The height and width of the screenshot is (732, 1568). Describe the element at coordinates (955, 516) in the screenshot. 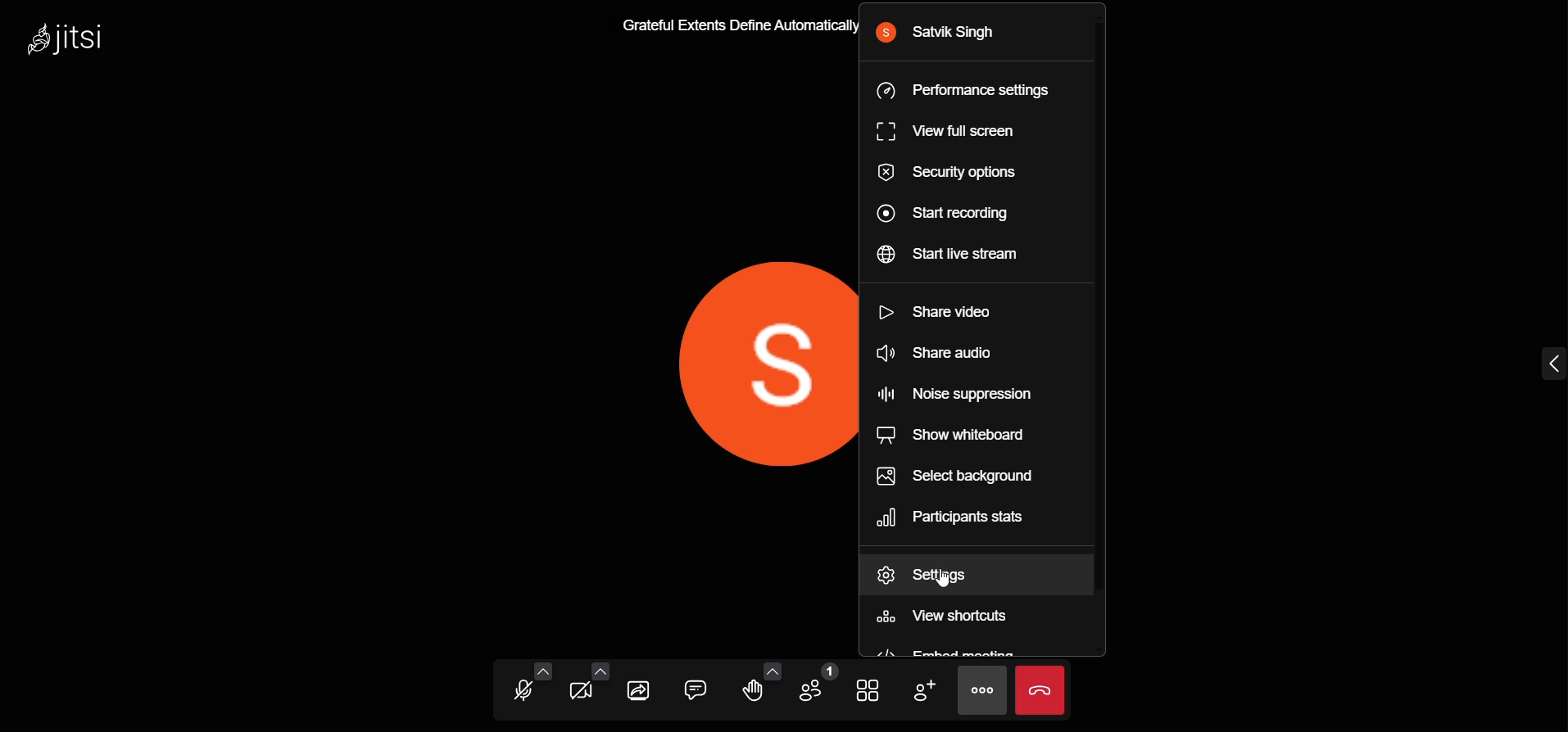

I see `participants stats` at that location.